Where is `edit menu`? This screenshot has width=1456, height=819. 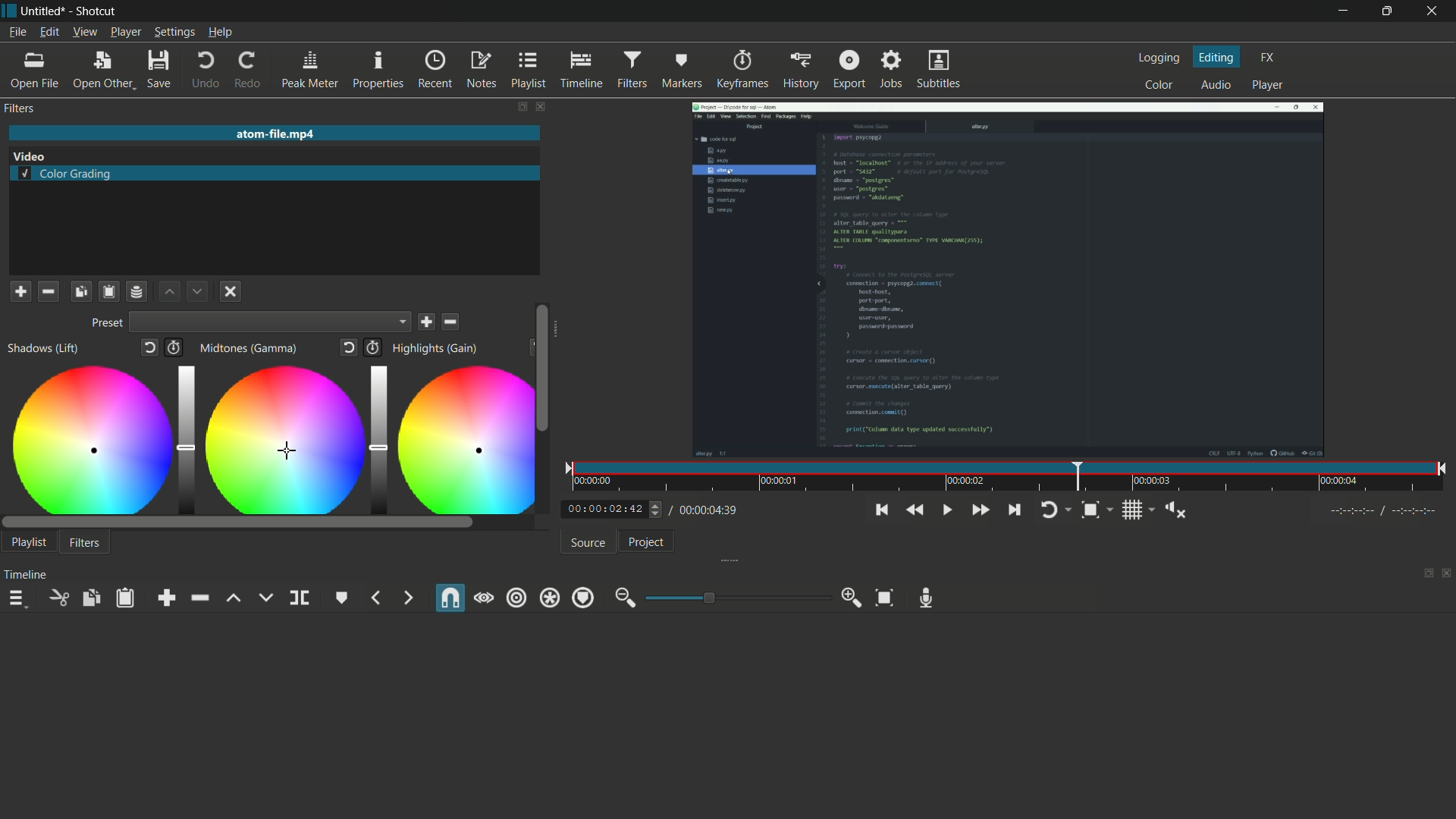
edit menu is located at coordinates (49, 31).